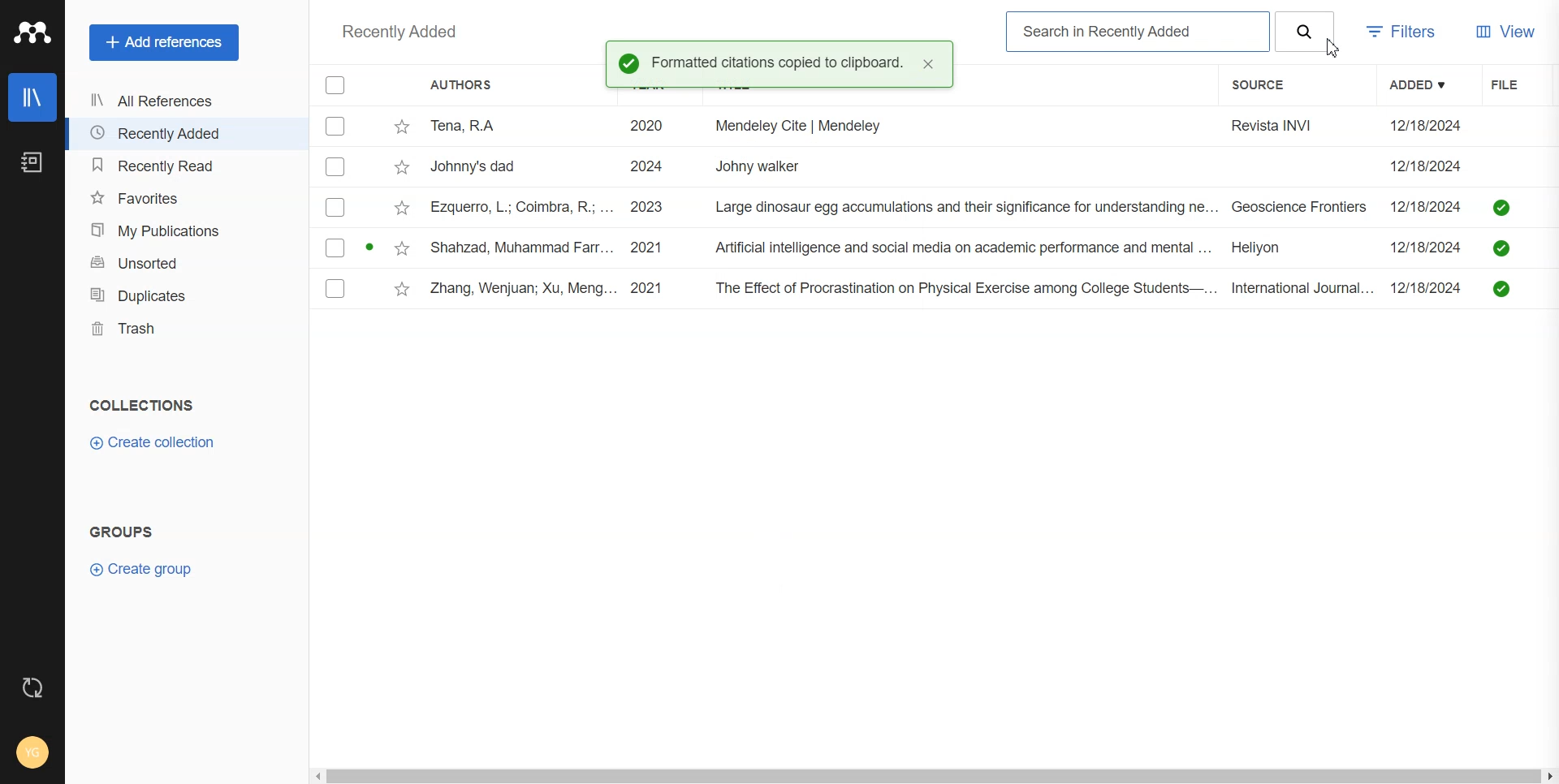  Describe the element at coordinates (183, 102) in the screenshot. I see `All References` at that location.